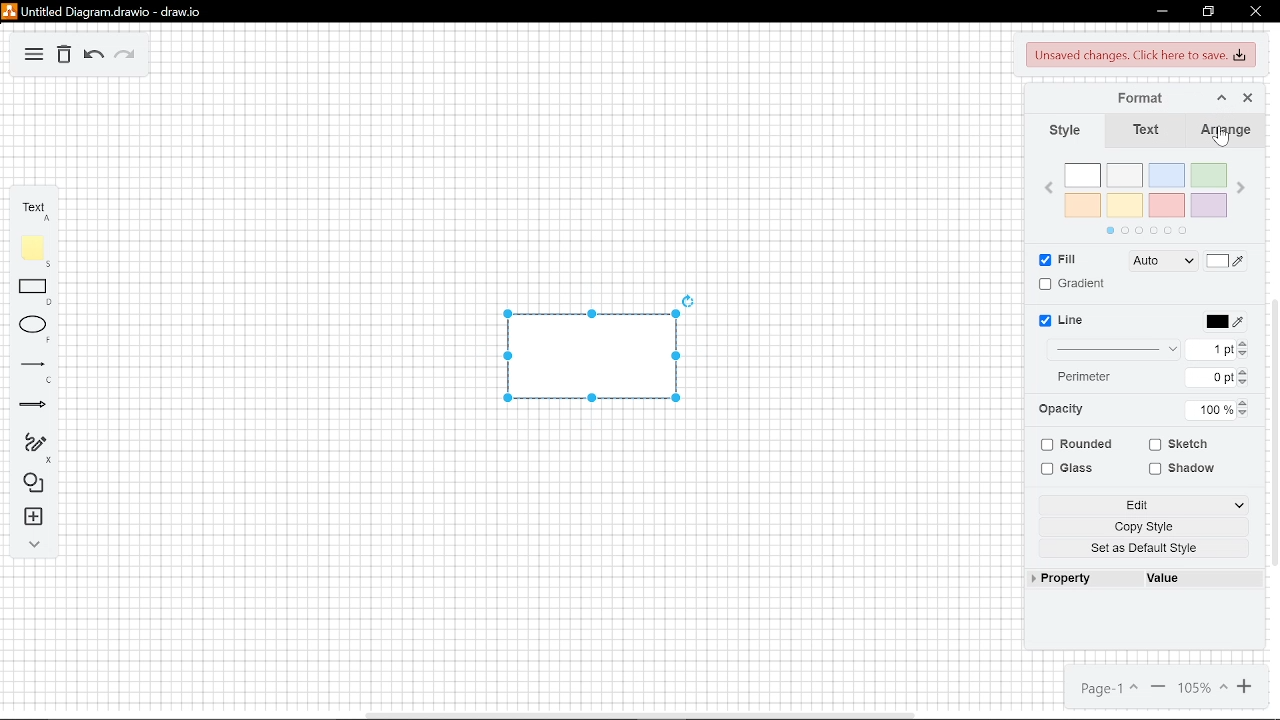 The height and width of the screenshot is (720, 1280). What do you see at coordinates (1203, 686) in the screenshot?
I see `zoom in` at bounding box center [1203, 686].